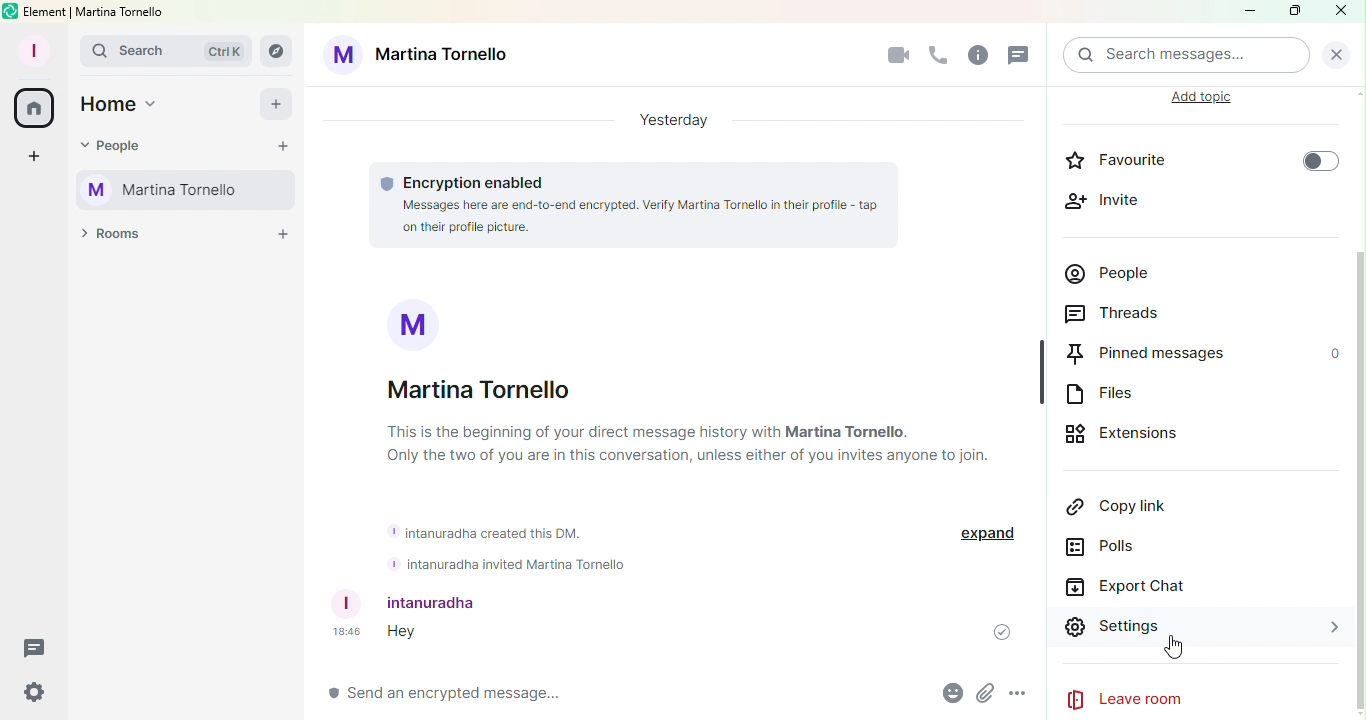 The width and height of the screenshot is (1366, 720). Describe the element at coordinates (460, 180) in the screenshot. I see `Encryption information` at that location.